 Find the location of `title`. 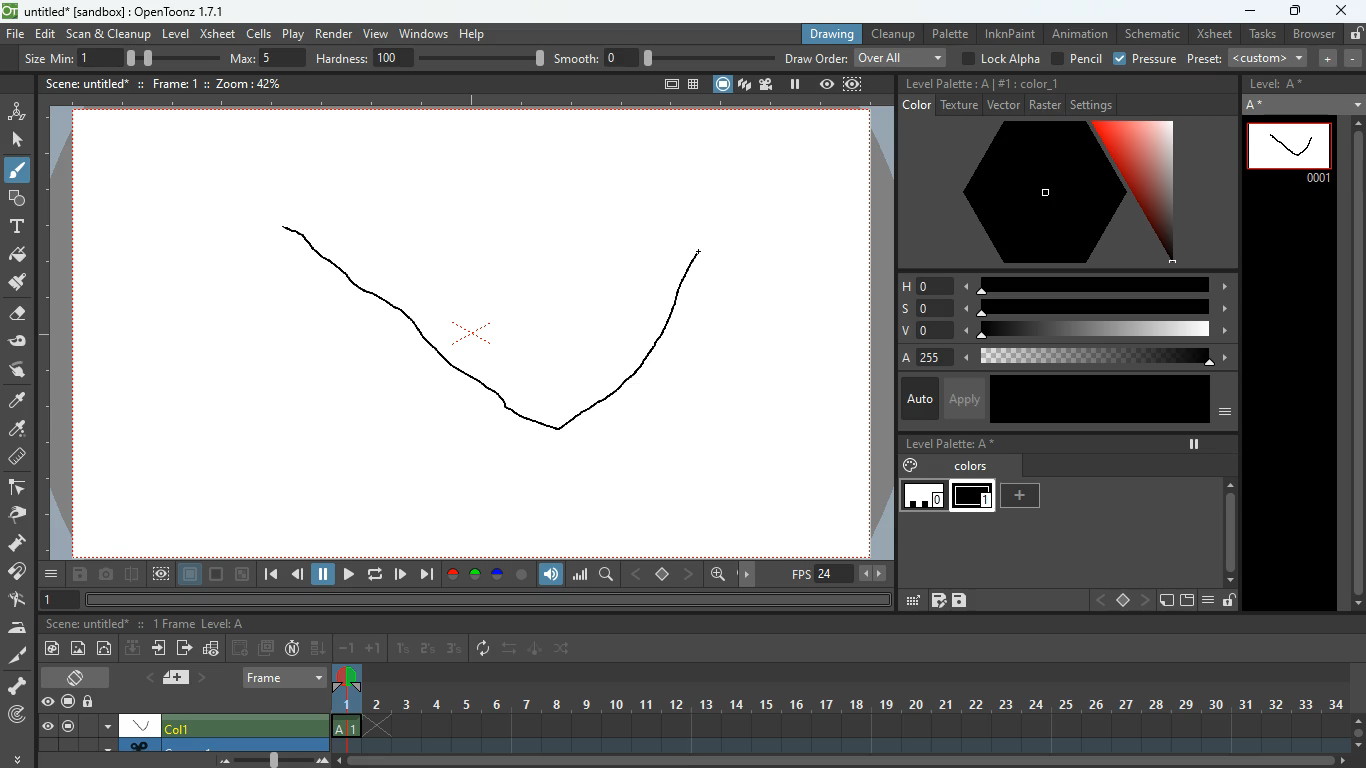

title is located at coordinates (84, 82).